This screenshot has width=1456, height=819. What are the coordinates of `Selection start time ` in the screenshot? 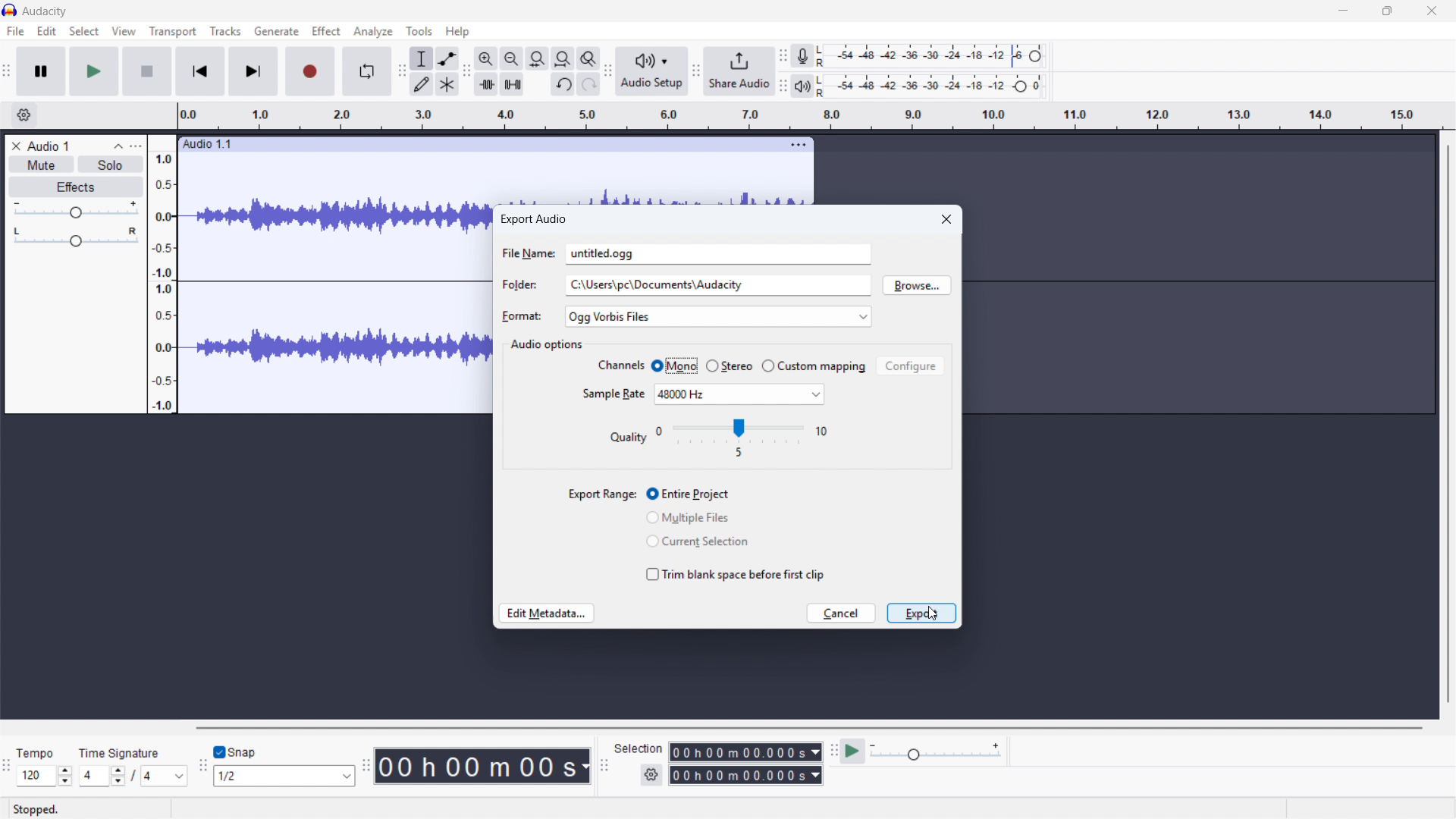 It's located at (745, 752).